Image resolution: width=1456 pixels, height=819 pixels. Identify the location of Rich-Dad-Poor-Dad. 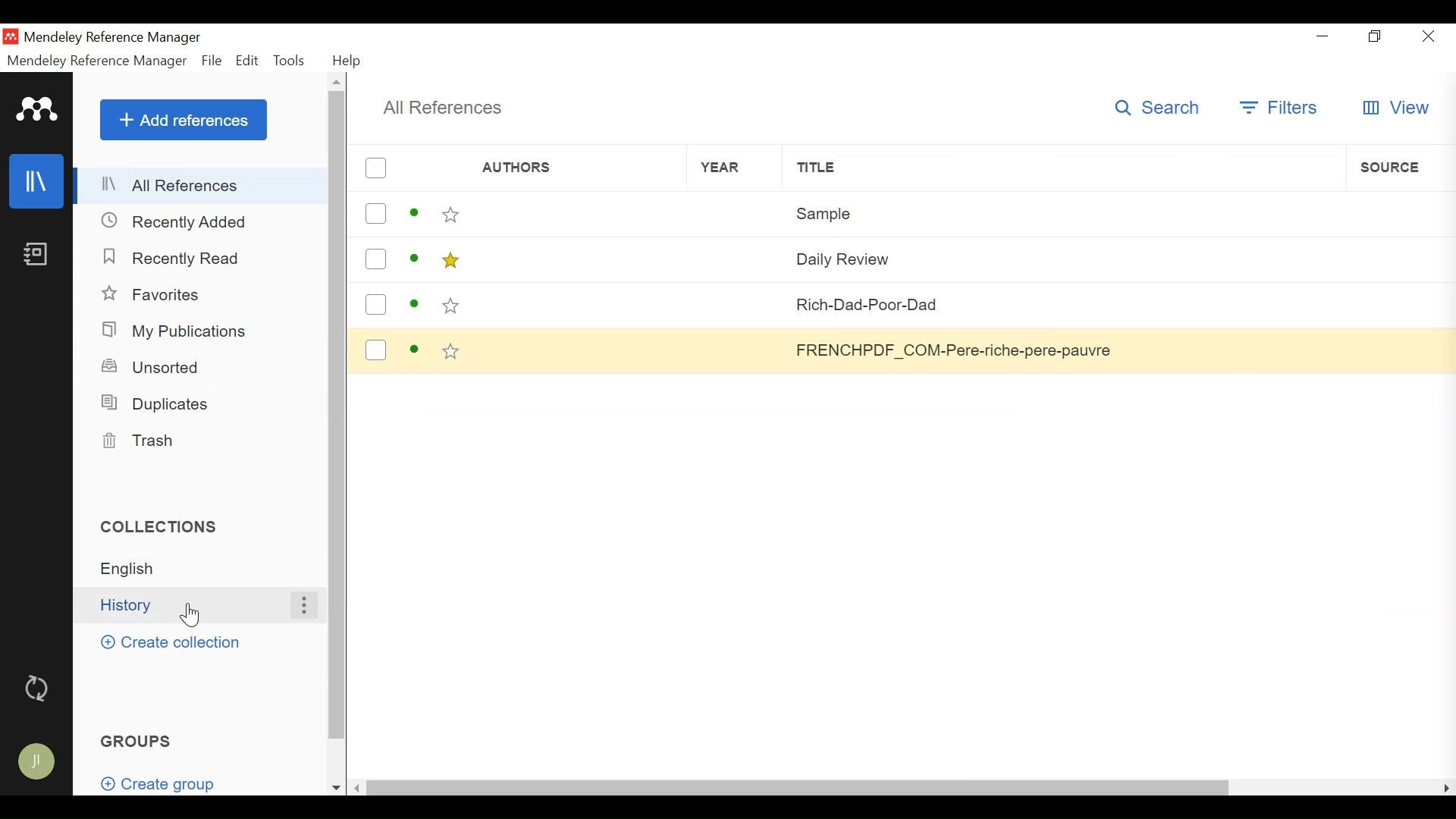
(1064, 303).